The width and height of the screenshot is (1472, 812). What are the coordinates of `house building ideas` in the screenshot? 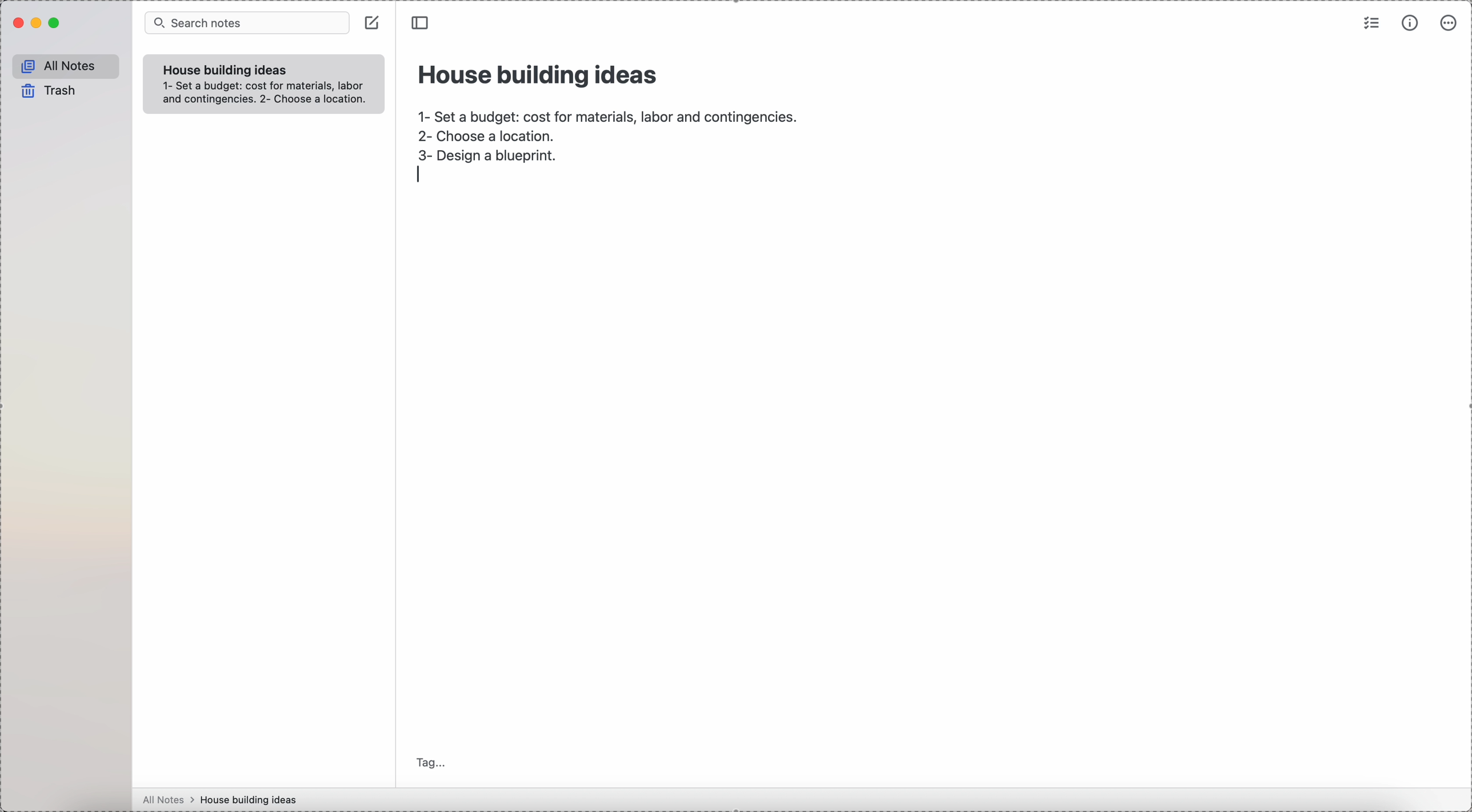 It's located at (539, 73).